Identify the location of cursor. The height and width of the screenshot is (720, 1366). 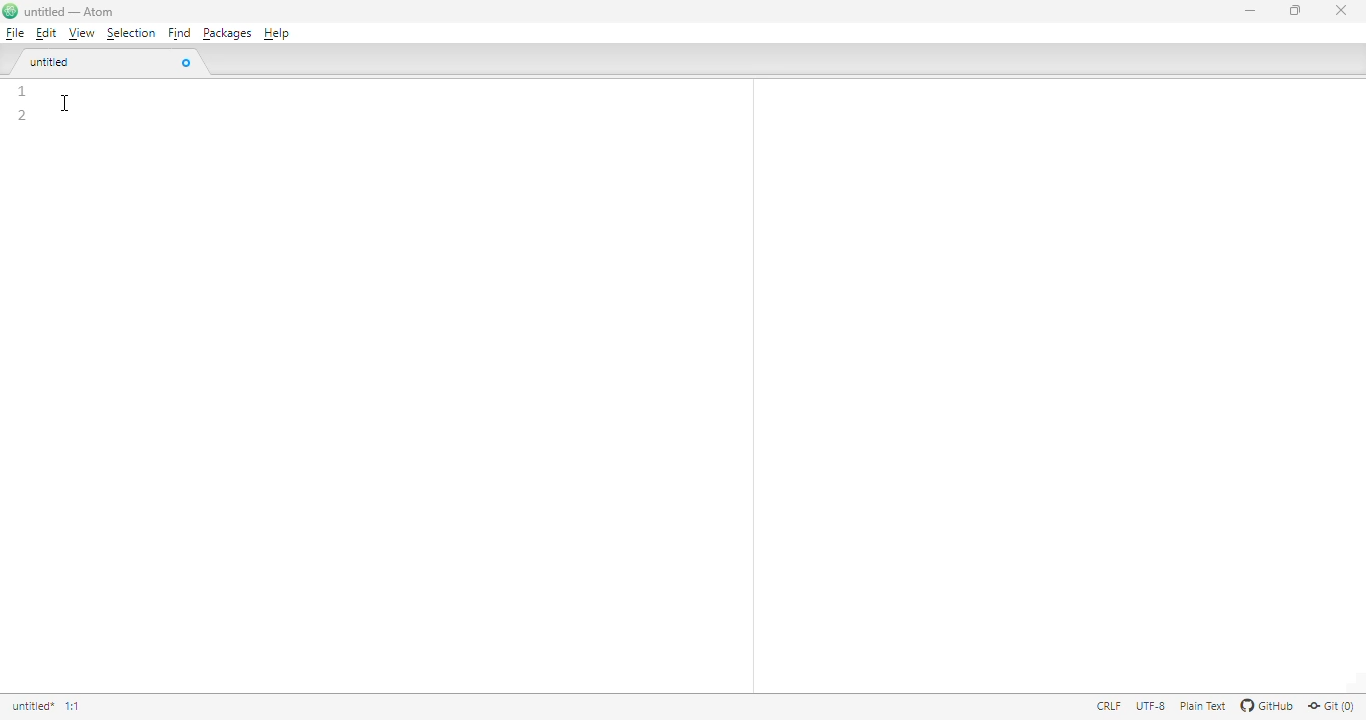
(65, 103).